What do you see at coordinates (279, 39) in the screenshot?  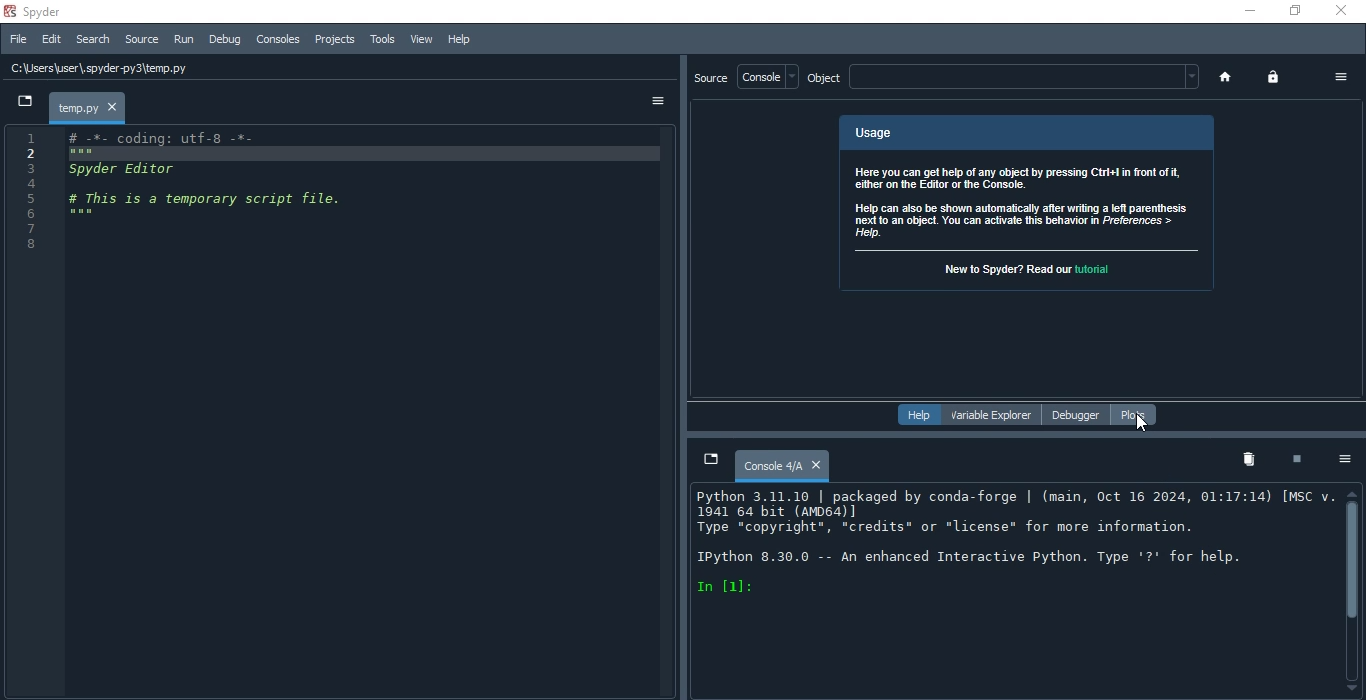 I see `Consoles` at bounding box center [279, 39].